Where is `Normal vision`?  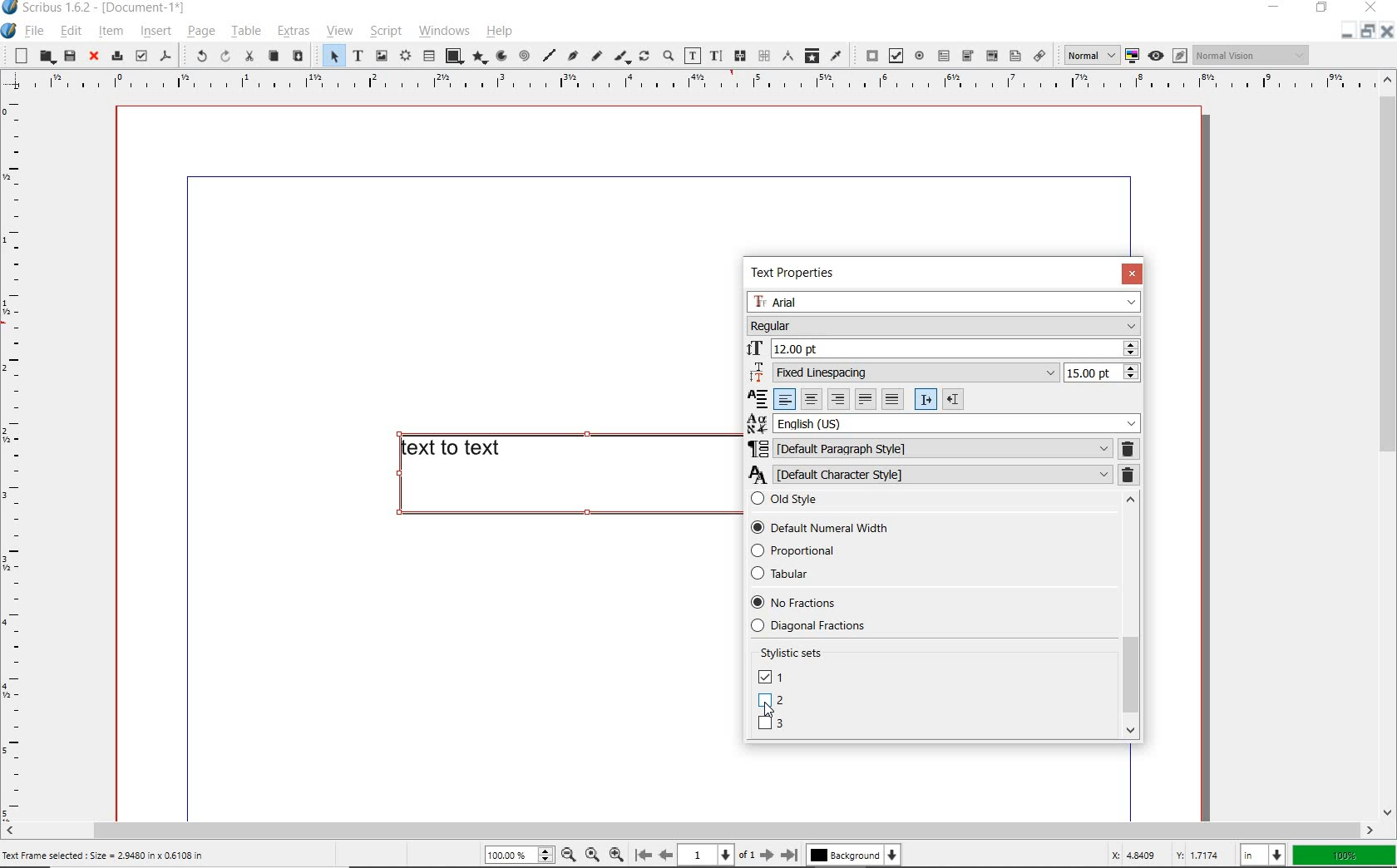
Normal vision is located at coordinates (1251, 56).